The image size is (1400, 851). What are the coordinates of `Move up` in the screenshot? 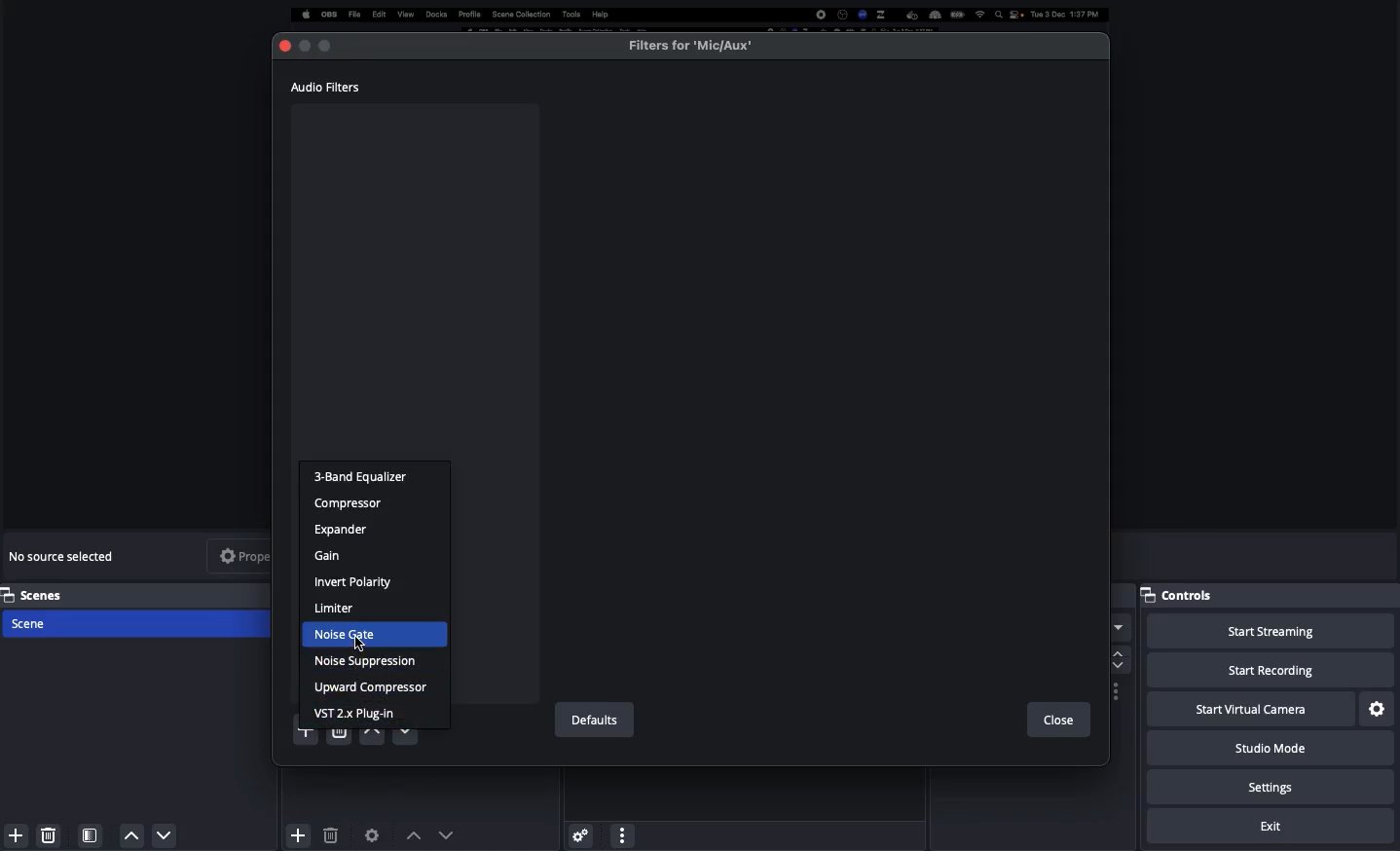 It's located at (414, 834).